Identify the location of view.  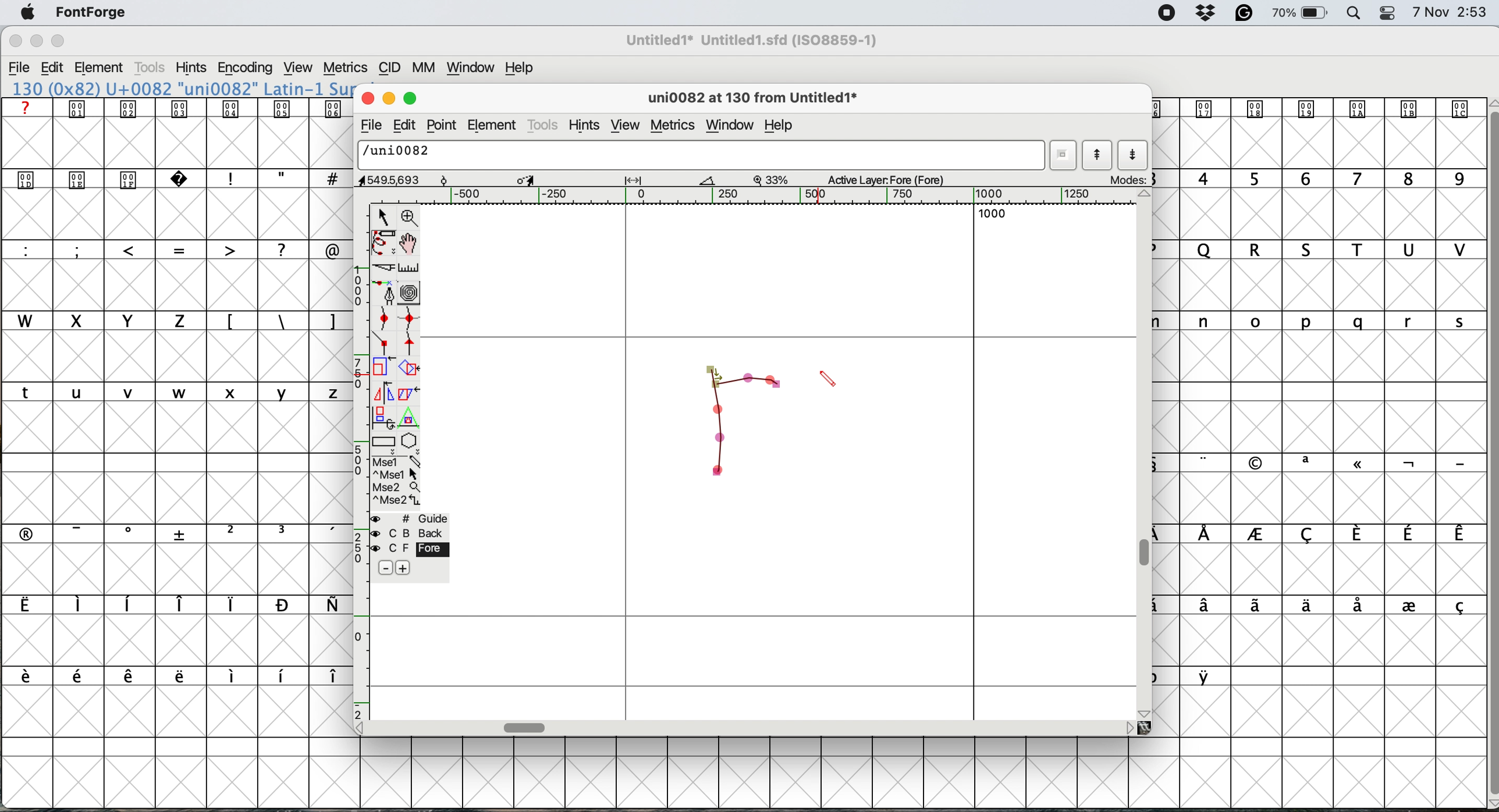
(300, 68).